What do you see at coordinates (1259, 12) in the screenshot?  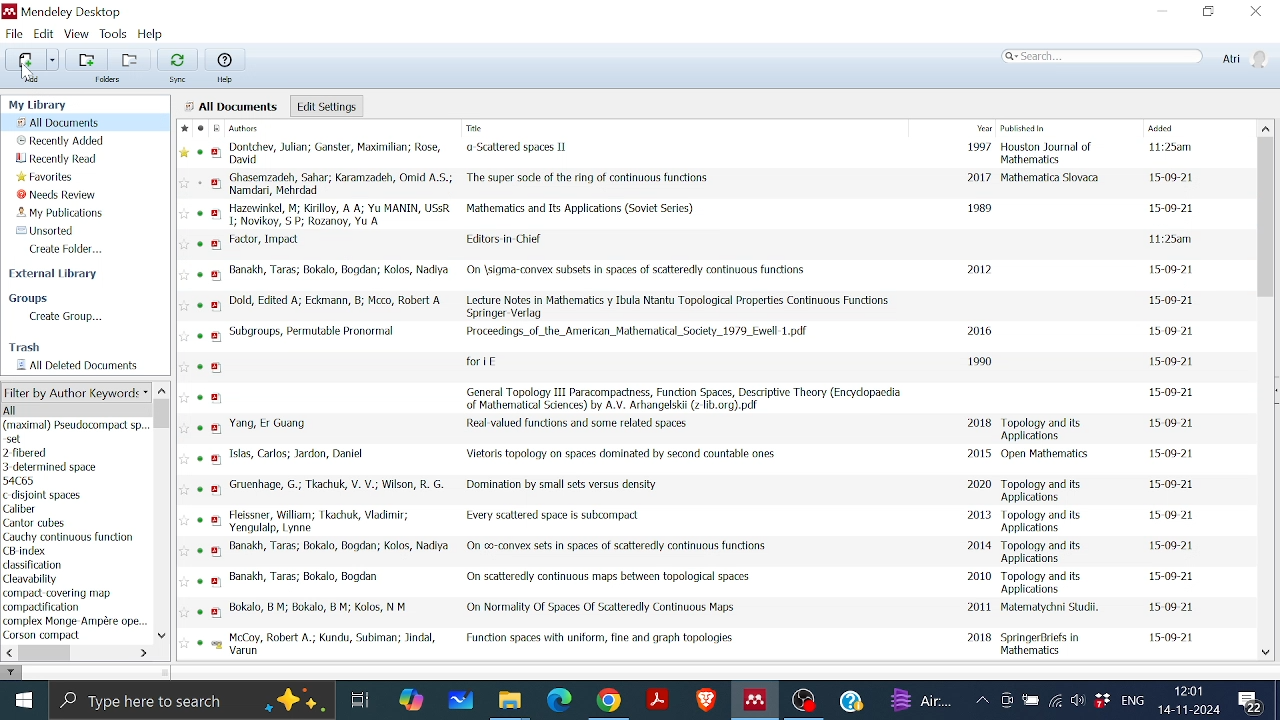 I see `Close` at bounding box center [1259, 12].